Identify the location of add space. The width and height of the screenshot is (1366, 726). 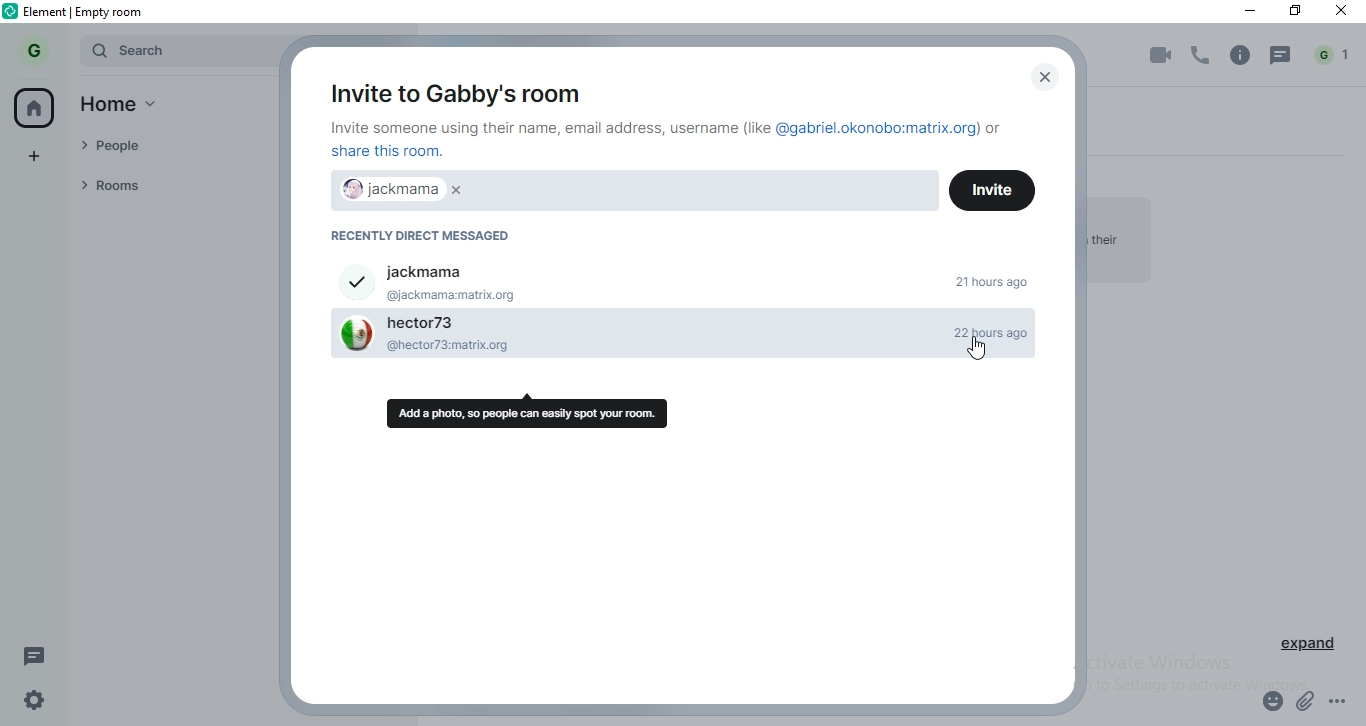
(36, 153).